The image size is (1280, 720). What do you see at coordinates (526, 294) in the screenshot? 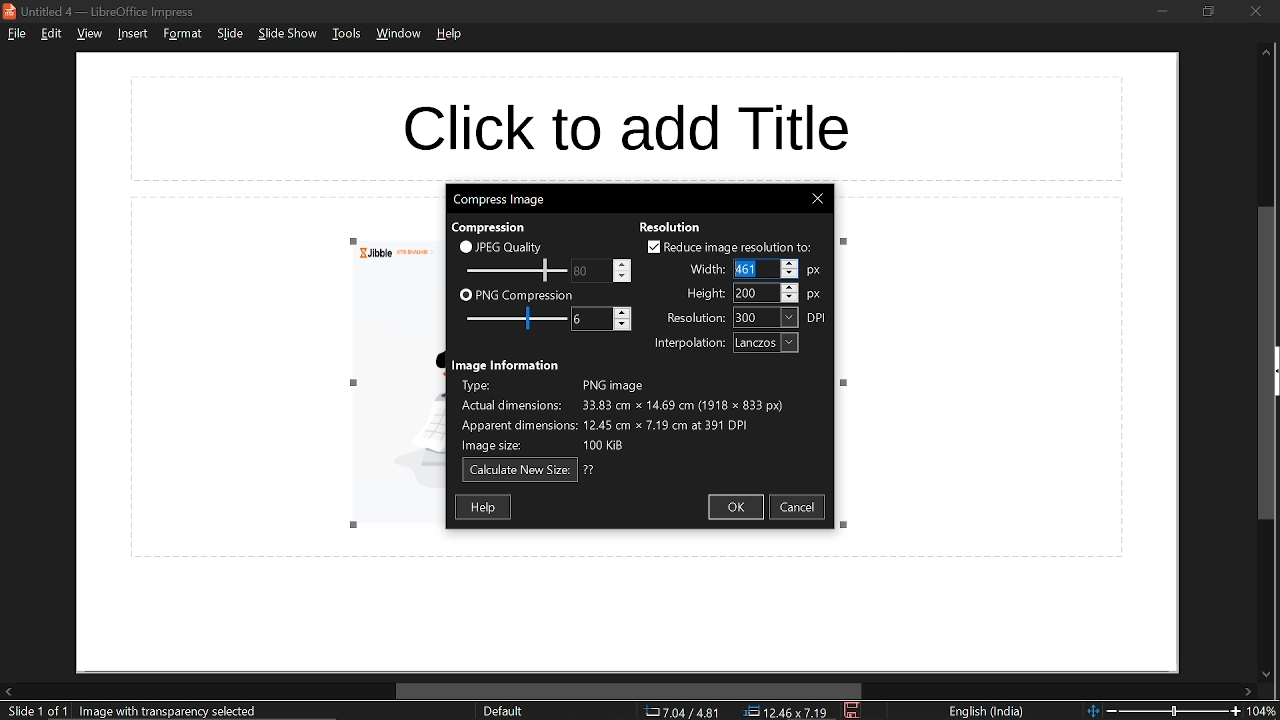
I see `PNG compression` at bounding box center [526, 294].